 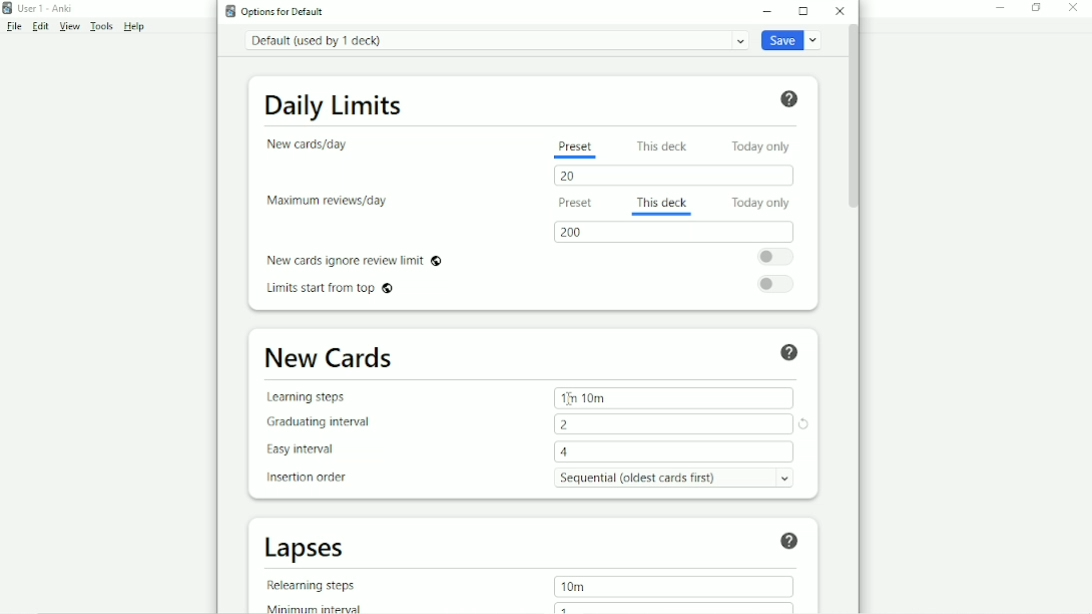 I want to click on Minimize, so click(x=771, y=10).